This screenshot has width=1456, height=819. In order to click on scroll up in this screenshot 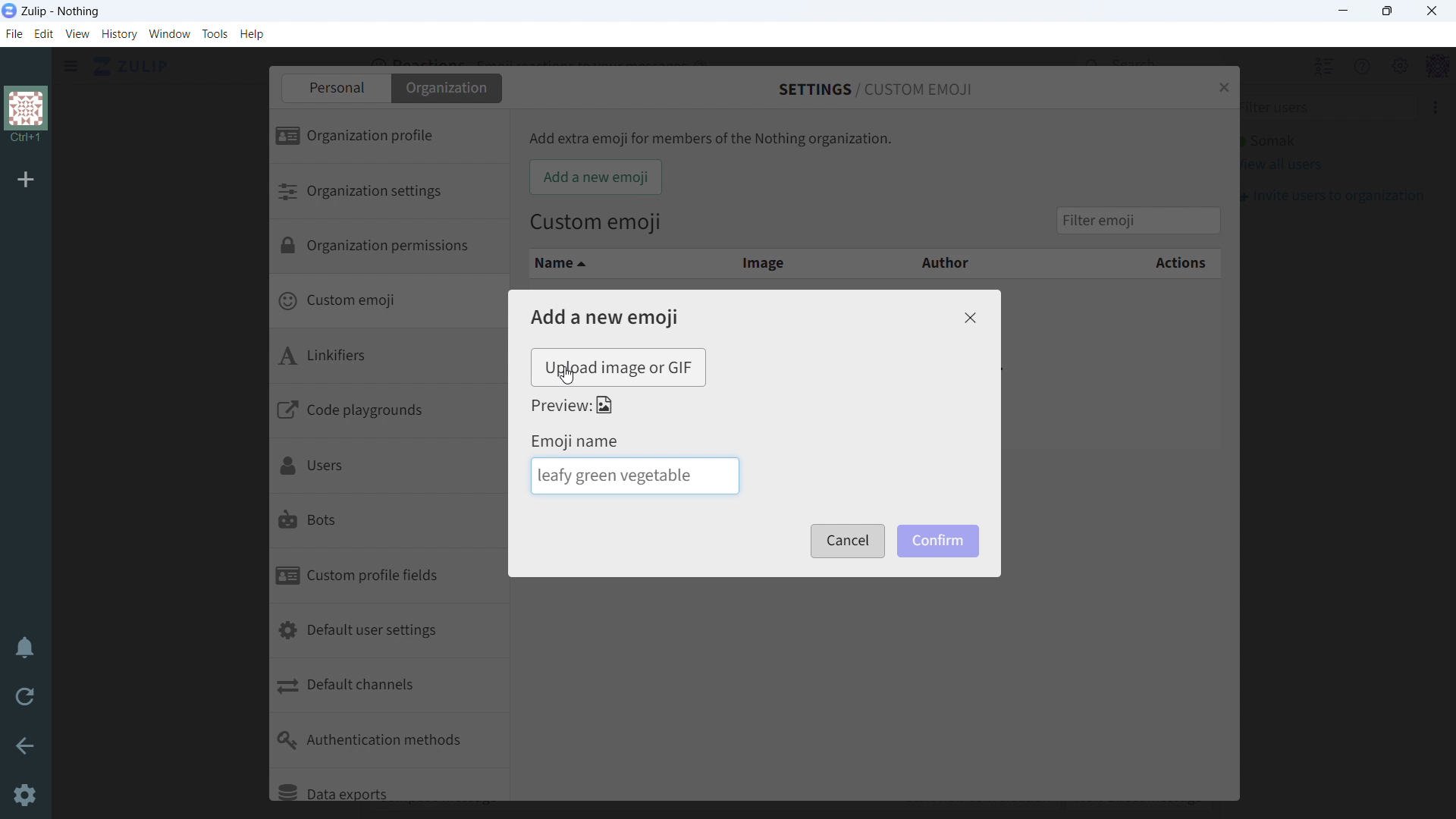, I will do `click(1447, 55)`.